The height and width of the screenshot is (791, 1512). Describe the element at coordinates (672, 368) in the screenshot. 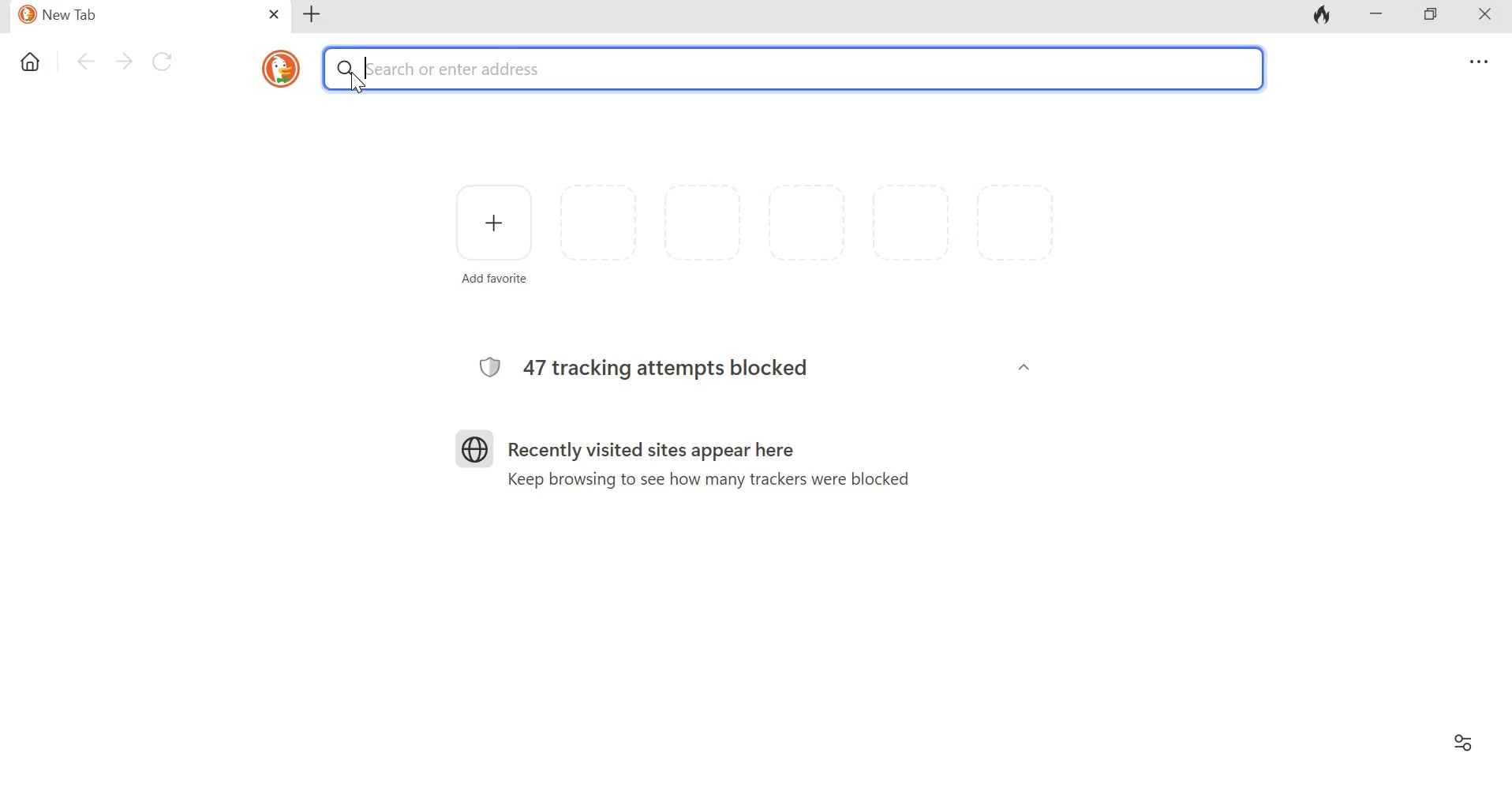

I see `47 tracking attempts blocked` at that location.